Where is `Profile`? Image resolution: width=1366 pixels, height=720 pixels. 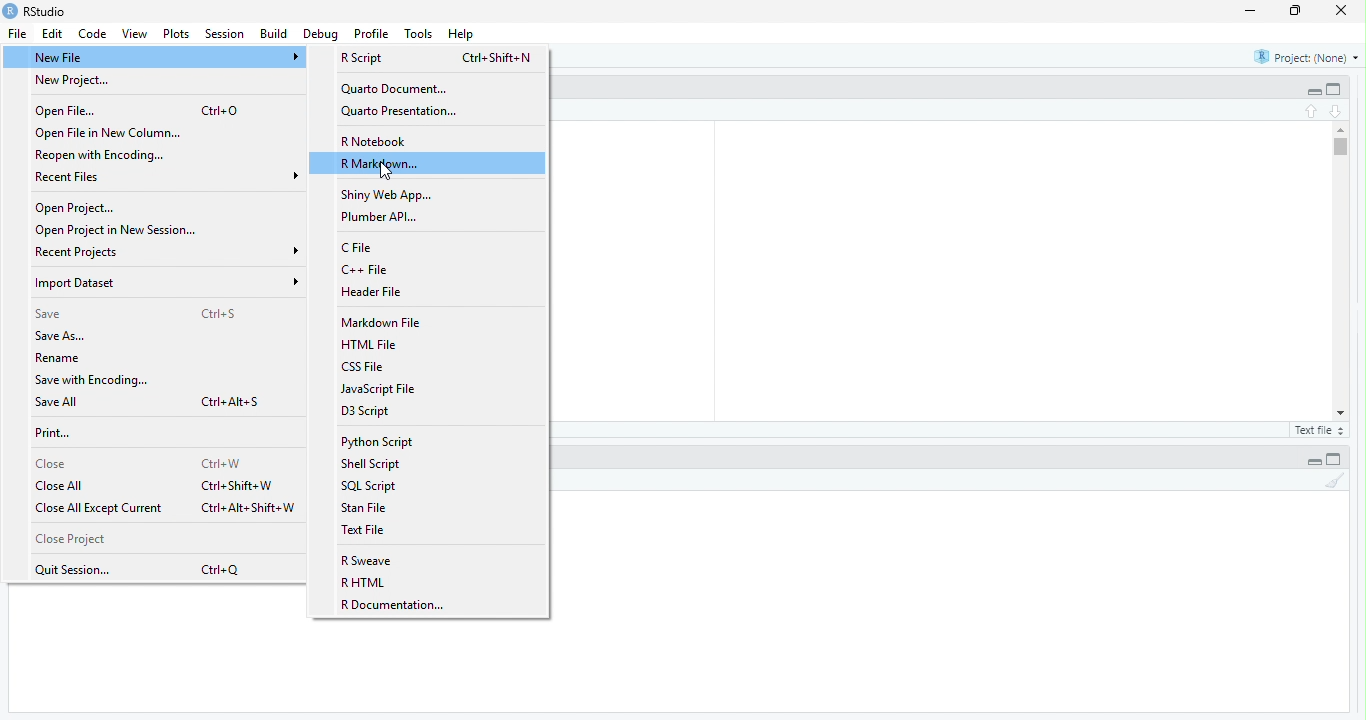
Profile is located at coordinates (373, 33).